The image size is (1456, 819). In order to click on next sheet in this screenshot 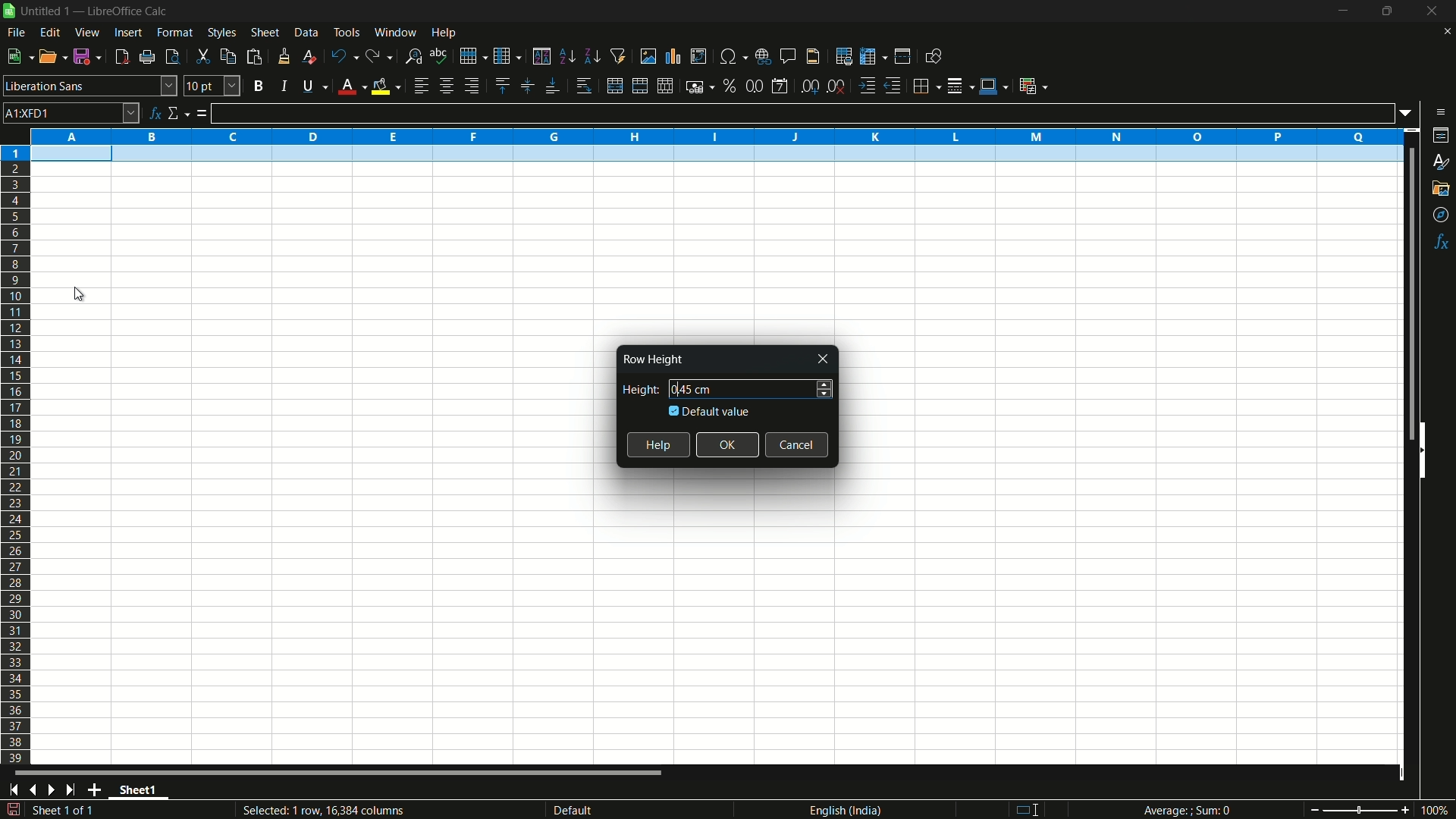, I will do `click(55, 789)`.